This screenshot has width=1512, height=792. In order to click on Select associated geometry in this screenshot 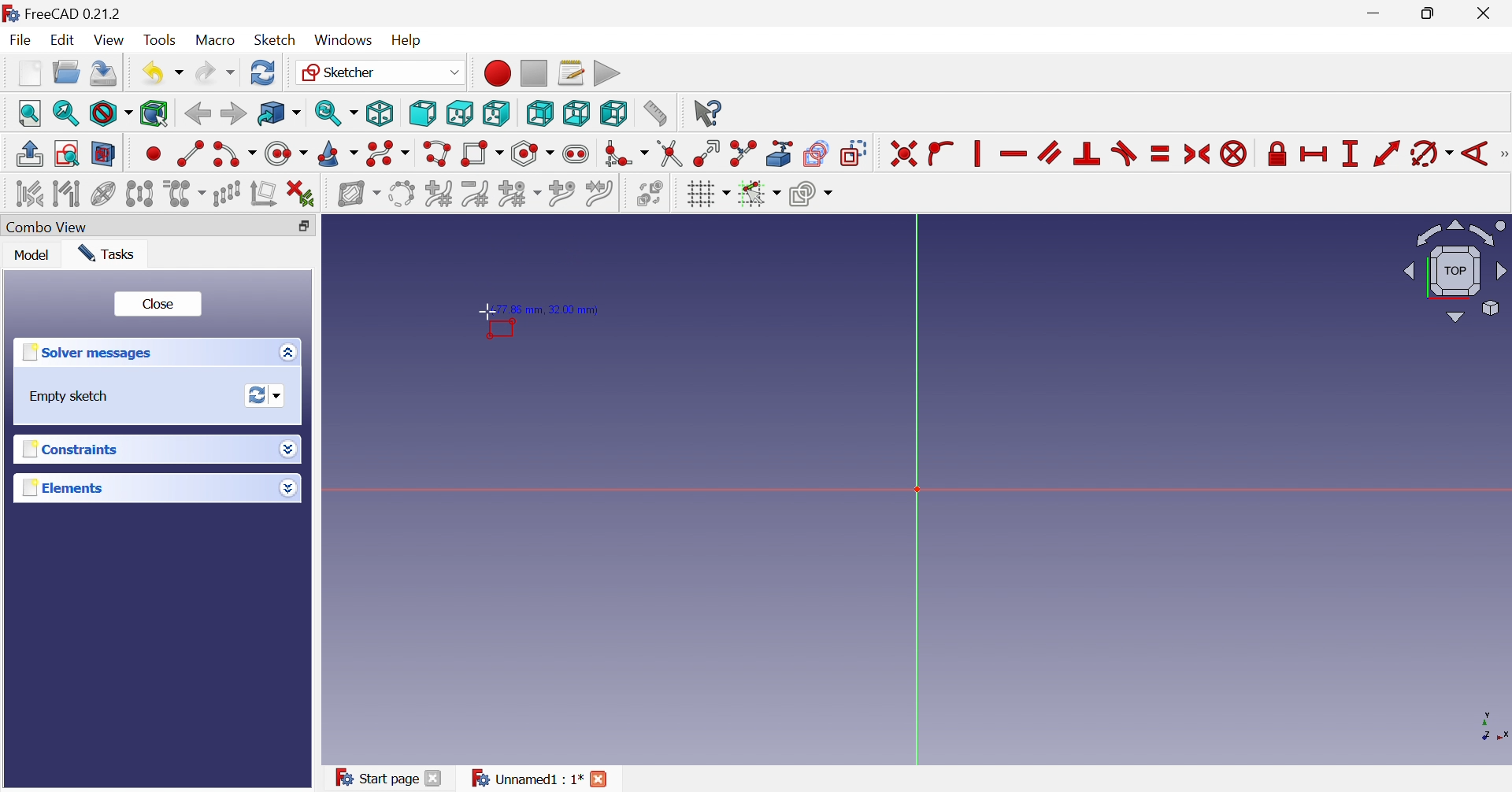, I will do `click(69, 196)`.